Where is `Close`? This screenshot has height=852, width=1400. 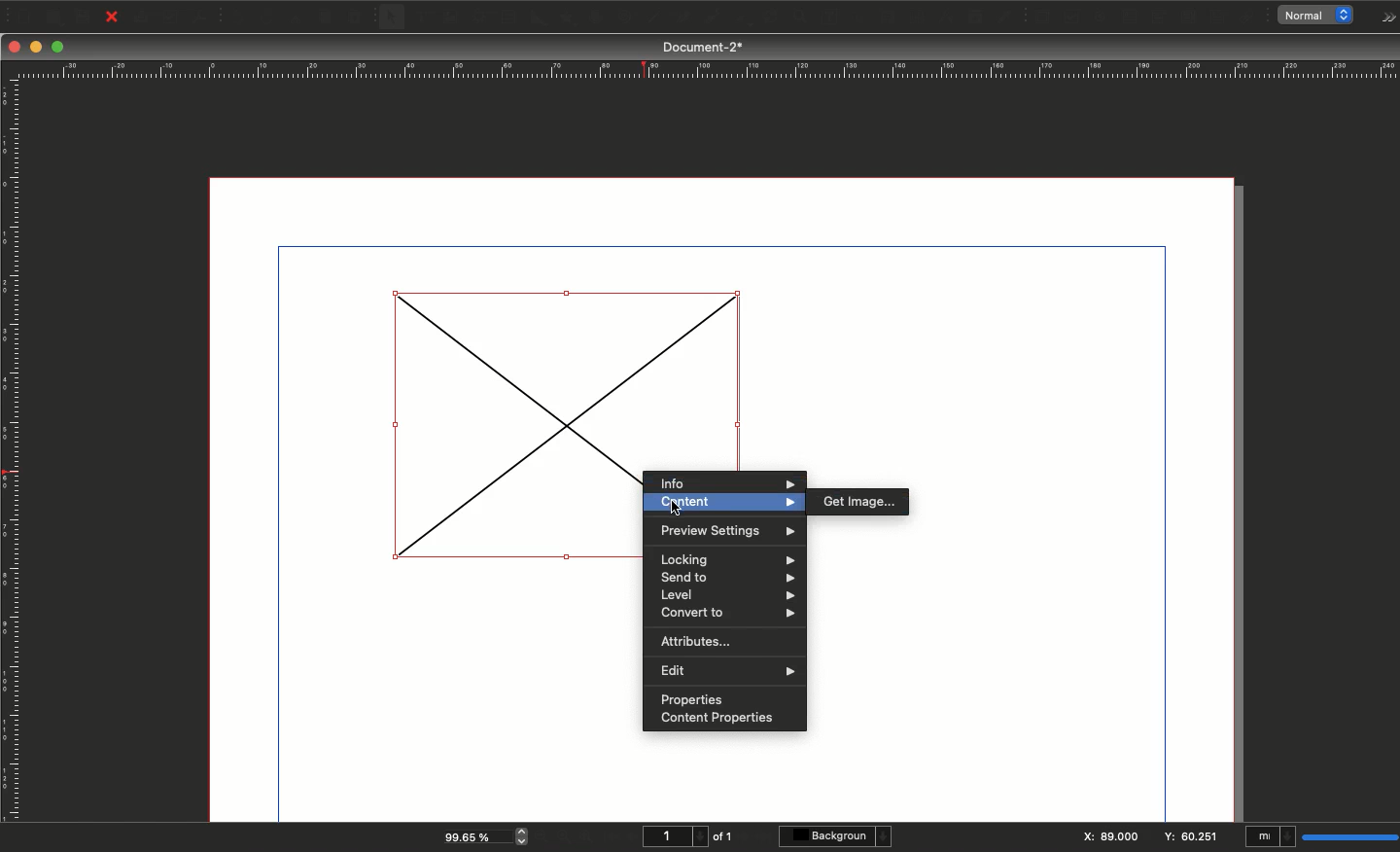
Close is located at coordinates (15, 47).